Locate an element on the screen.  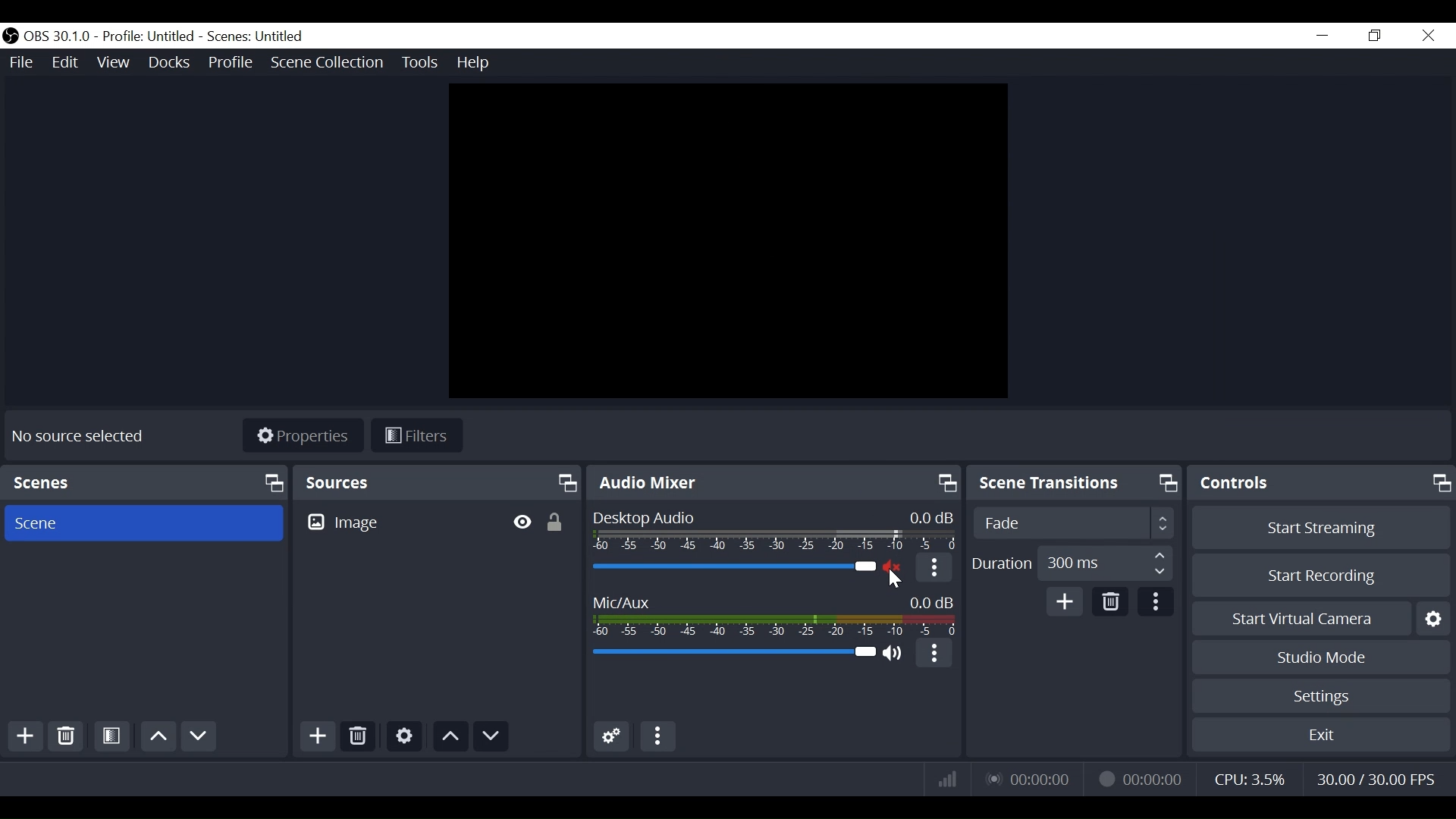
More Options is located at coordinates (936, 571).